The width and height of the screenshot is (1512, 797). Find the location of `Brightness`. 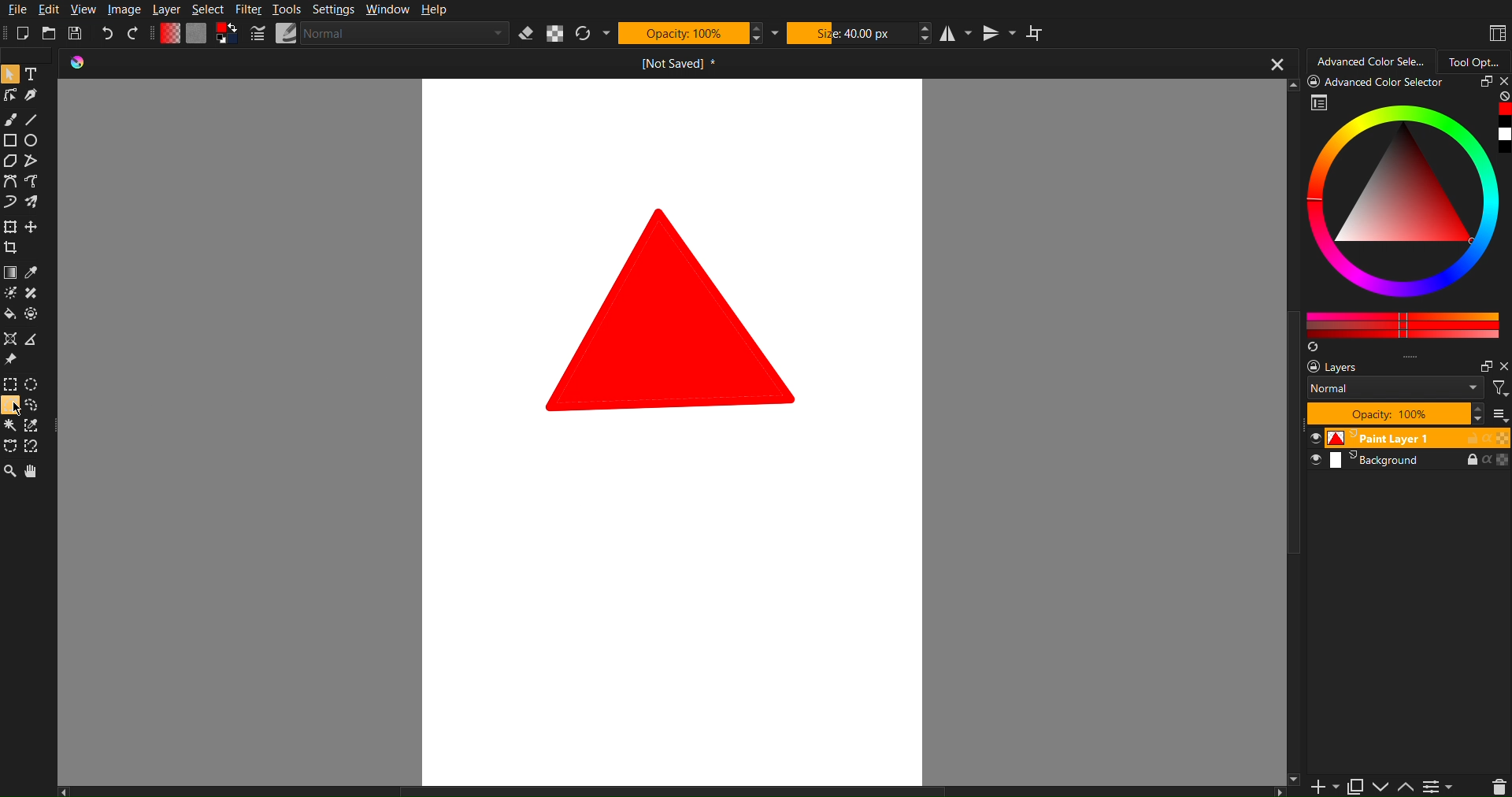

Brightness is located at coordinates (9, 293).